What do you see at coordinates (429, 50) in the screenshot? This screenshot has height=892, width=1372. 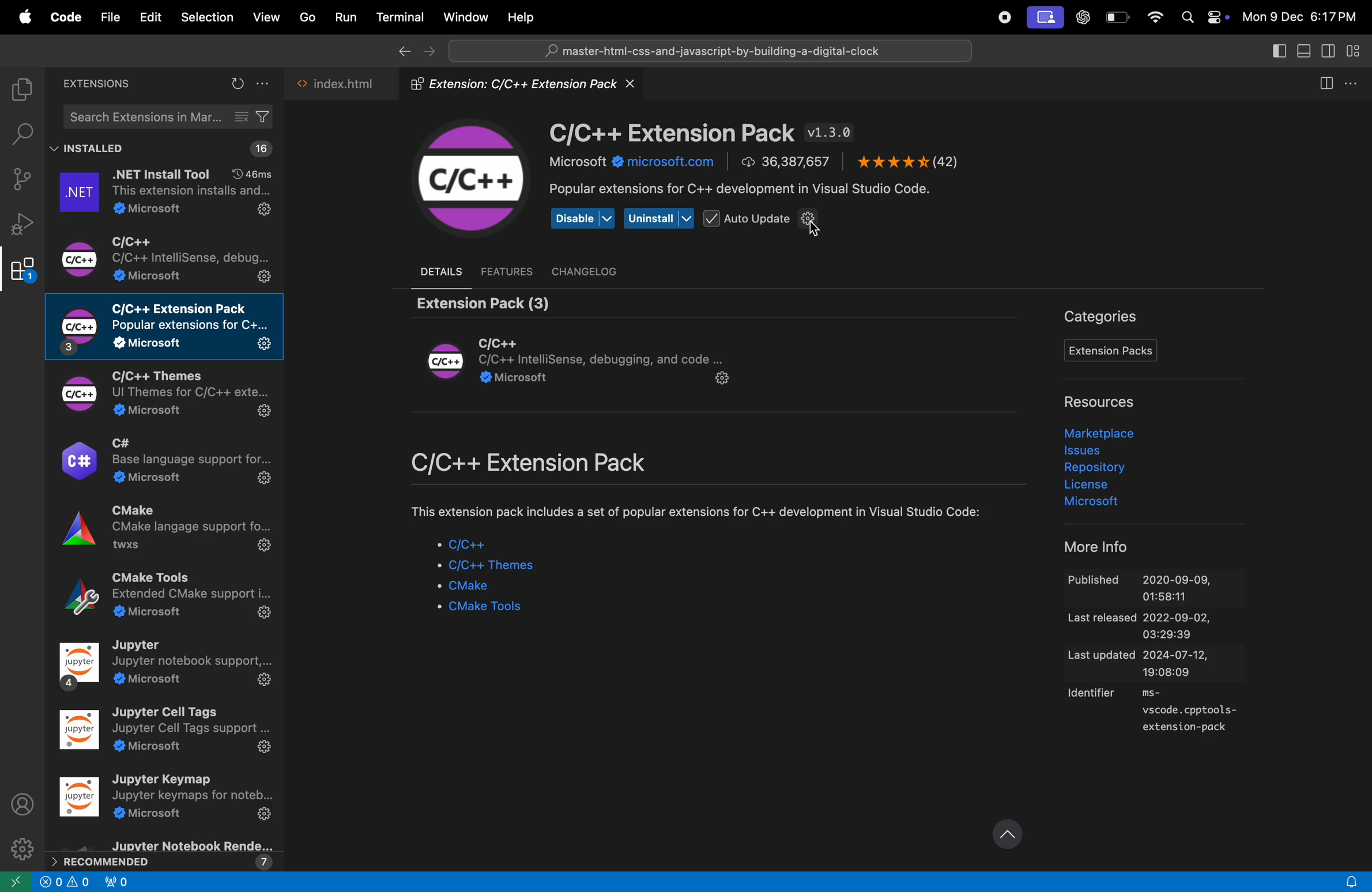 I see `forward` at bounding box center [429, 50].